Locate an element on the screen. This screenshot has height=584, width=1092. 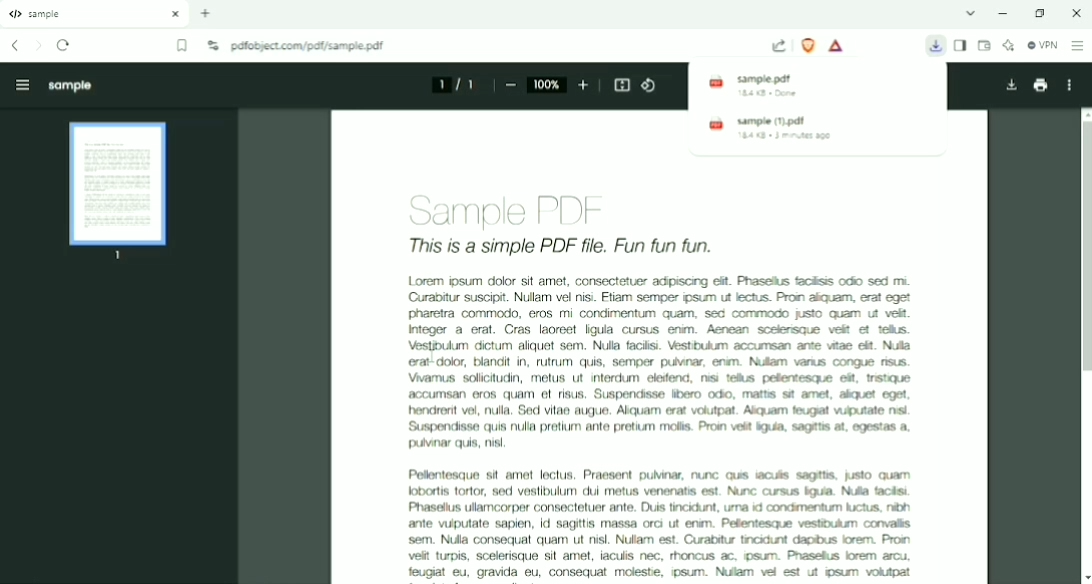
Print is located at coordinates (1040, 85).